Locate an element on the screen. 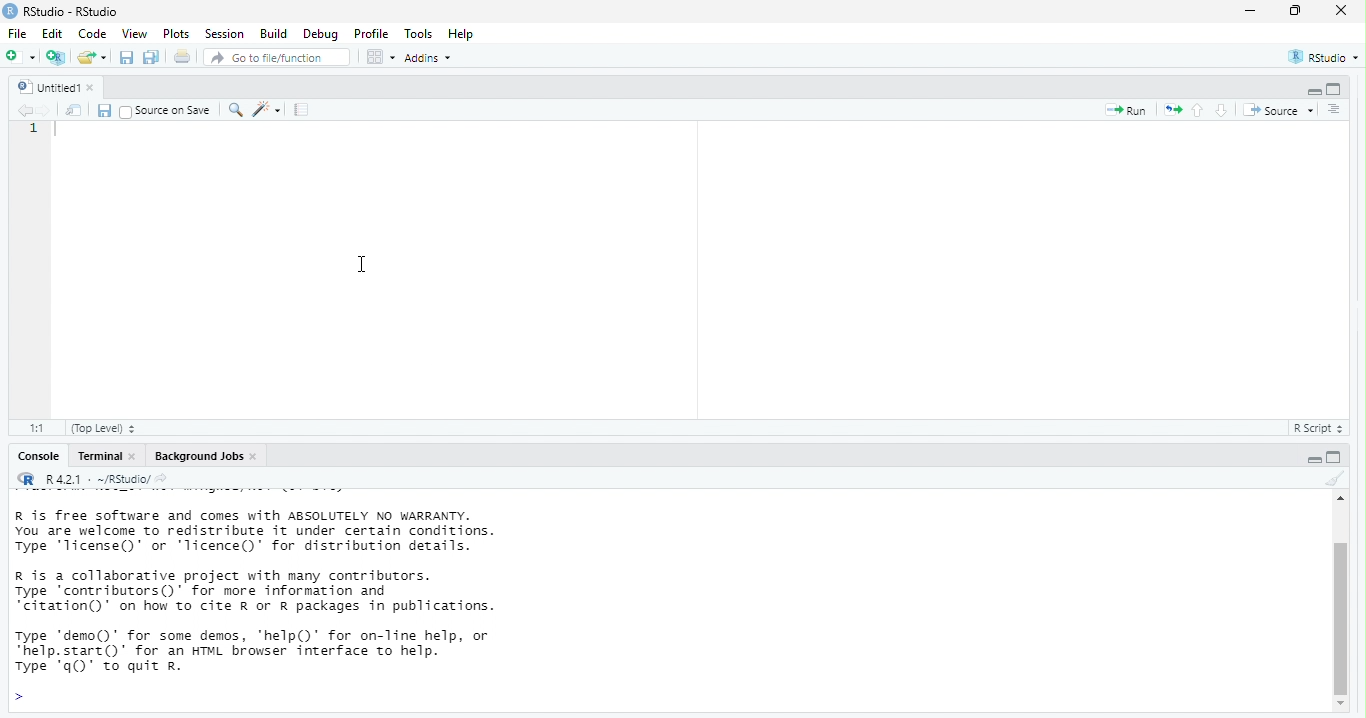 This screenshot has width=1366, height=718. go back to previous source location is located at coordinates (18, 109).